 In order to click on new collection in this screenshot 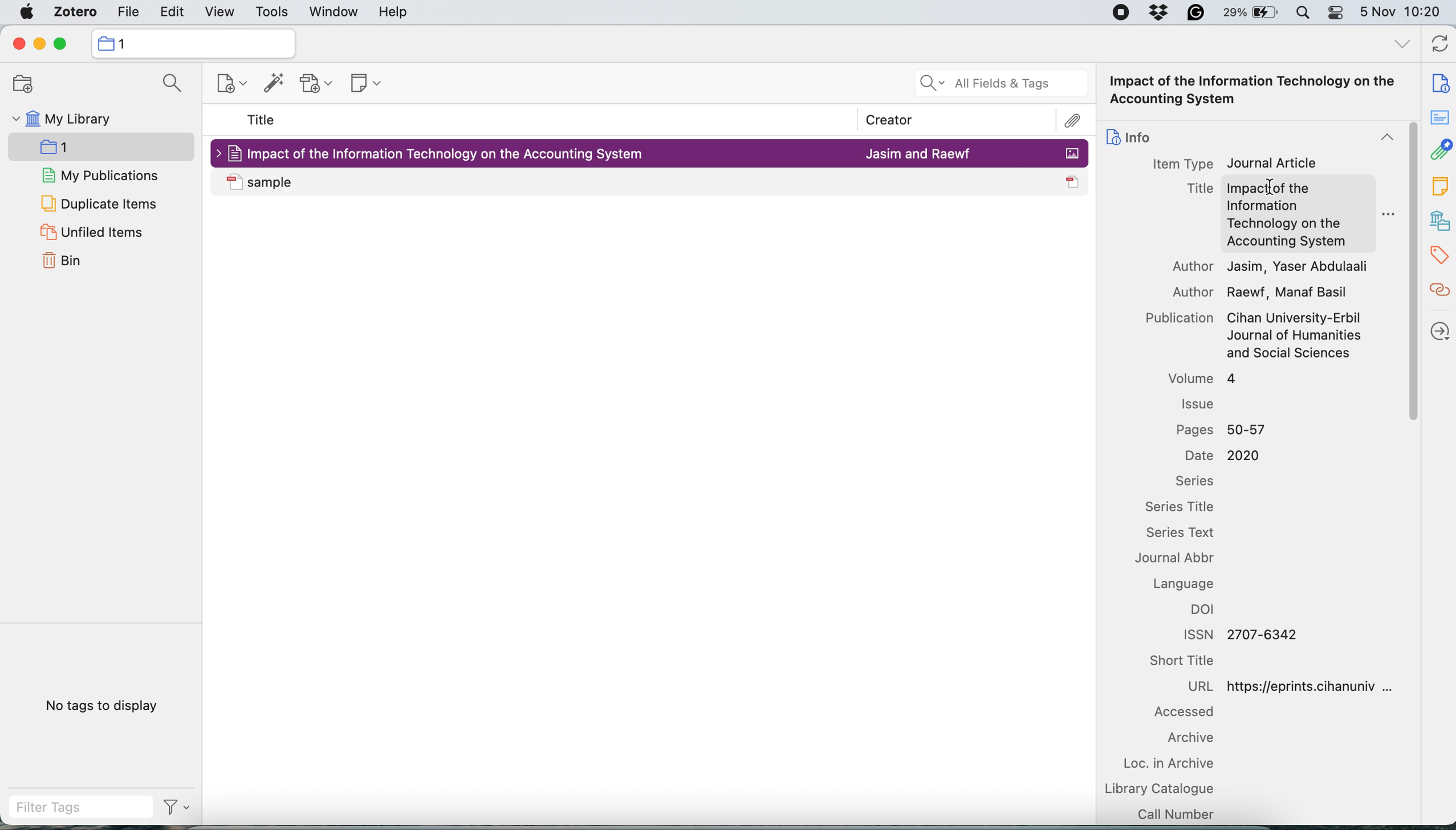, I will do `click(23, 83)`.